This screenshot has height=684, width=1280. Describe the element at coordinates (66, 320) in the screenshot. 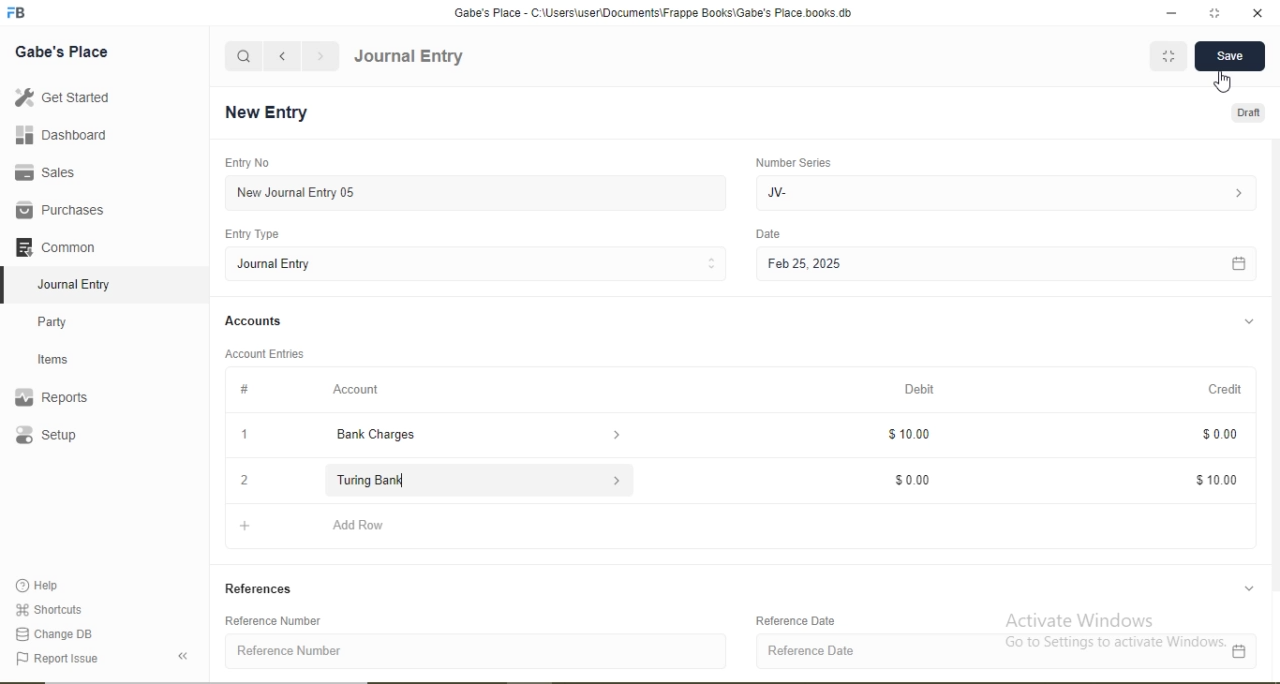

I see `Party` at that location.